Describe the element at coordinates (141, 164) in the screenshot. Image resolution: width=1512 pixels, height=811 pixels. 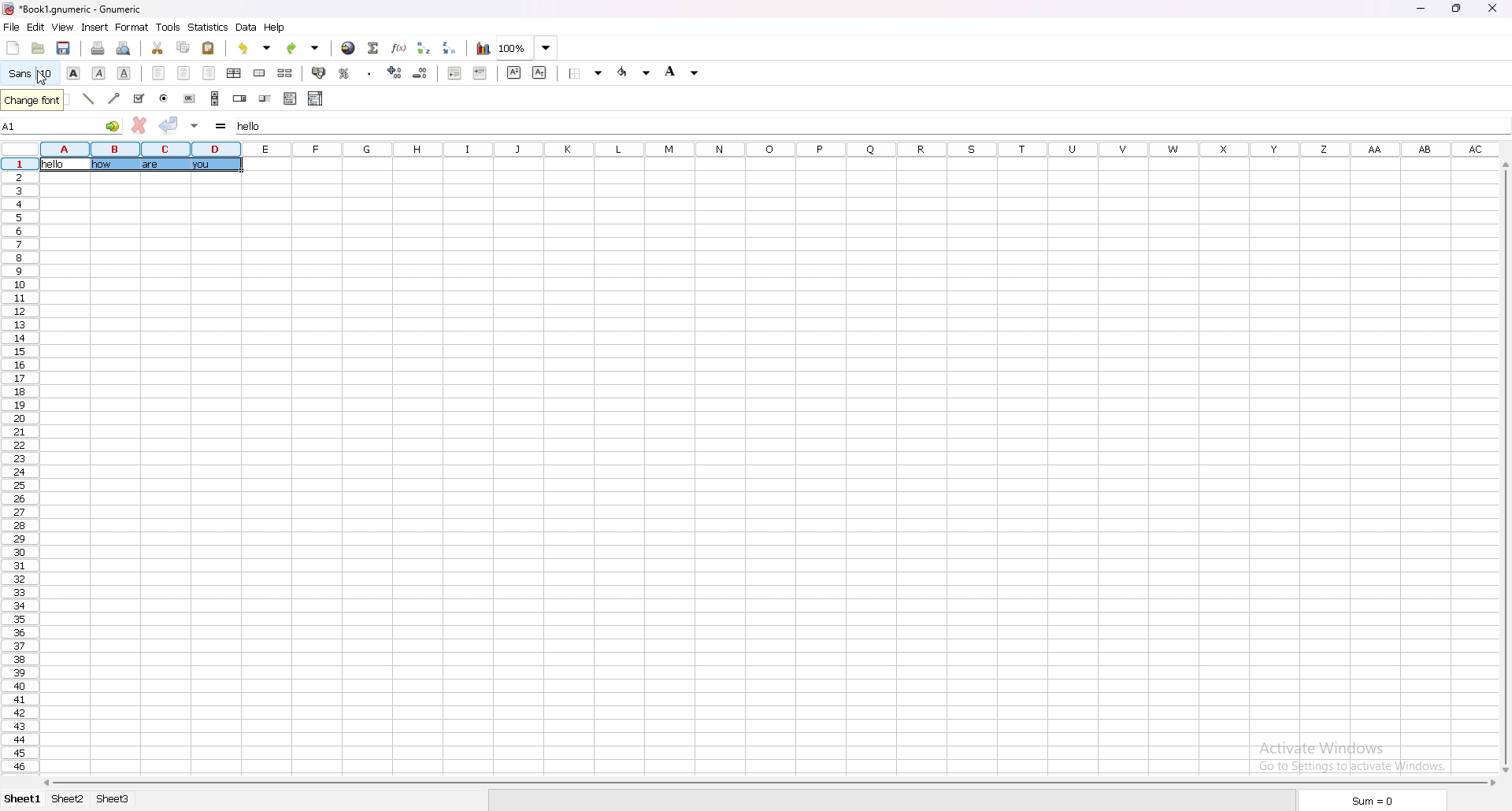
I see `selected cell` at that location.